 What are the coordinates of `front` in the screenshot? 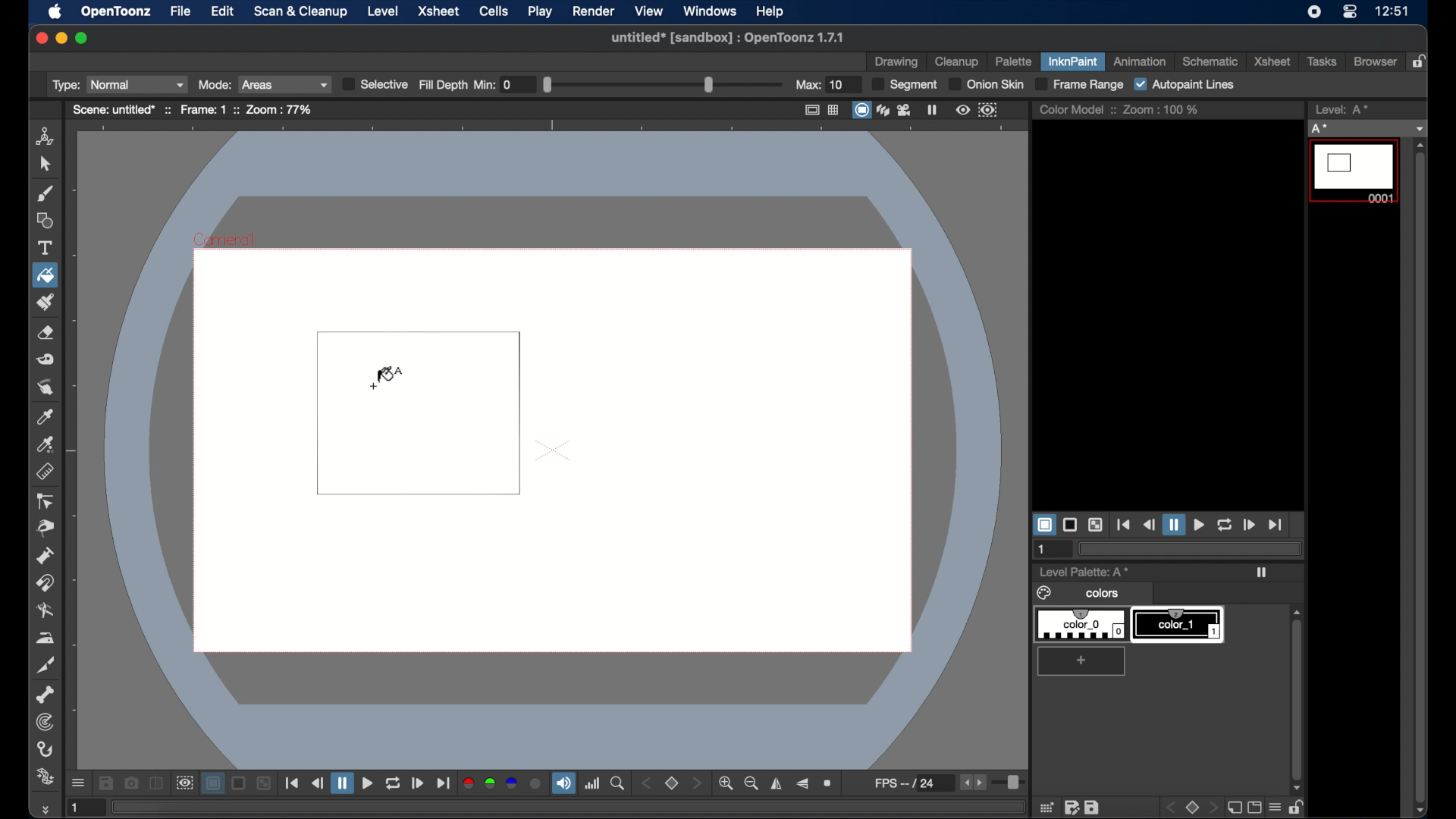 It's located at (1213, 808).